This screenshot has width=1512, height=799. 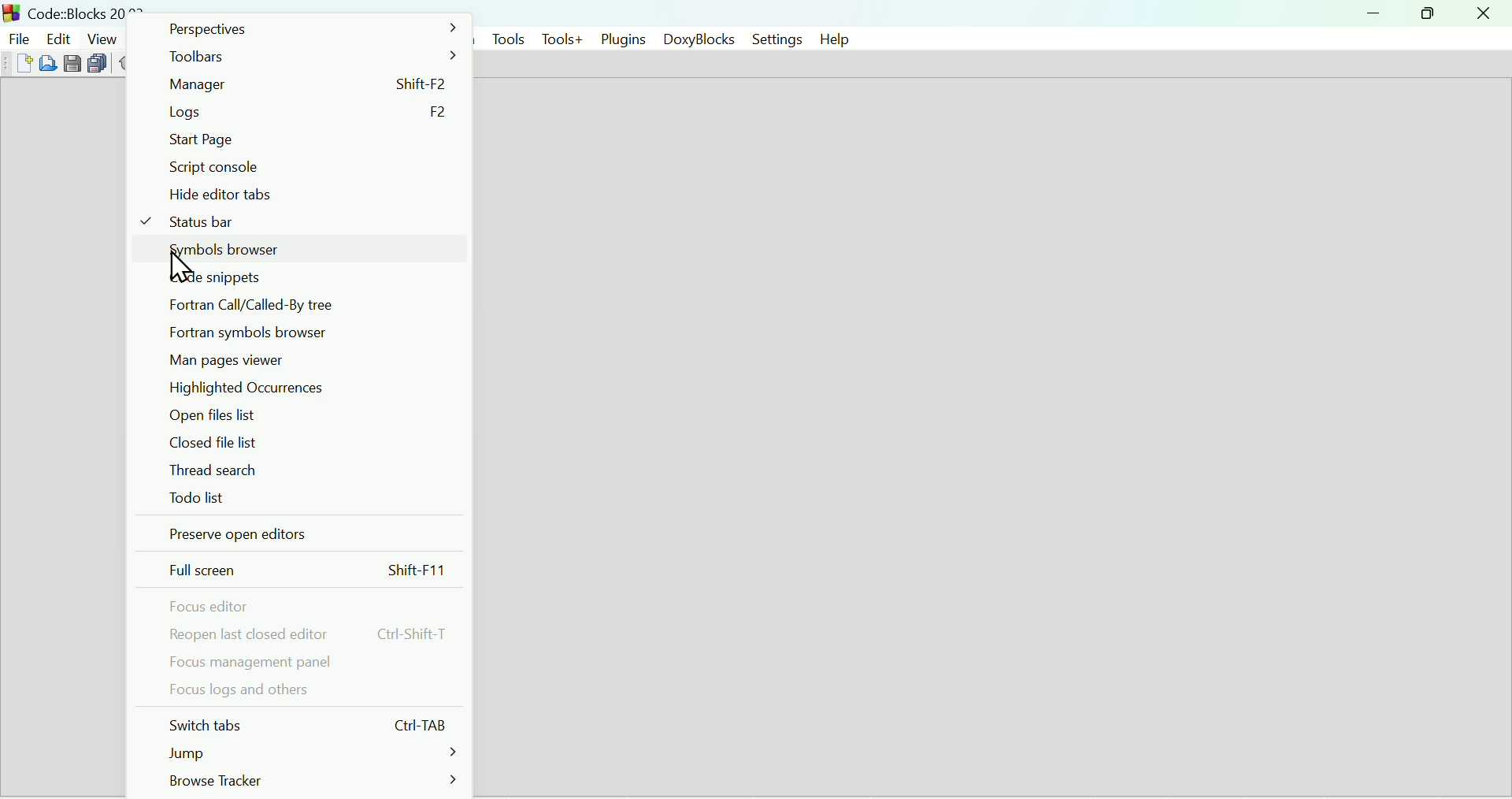 What do you see at coordinates (303, 251) in the screenshot?
I see `Symbol browser` at bounding box center [303, 251].